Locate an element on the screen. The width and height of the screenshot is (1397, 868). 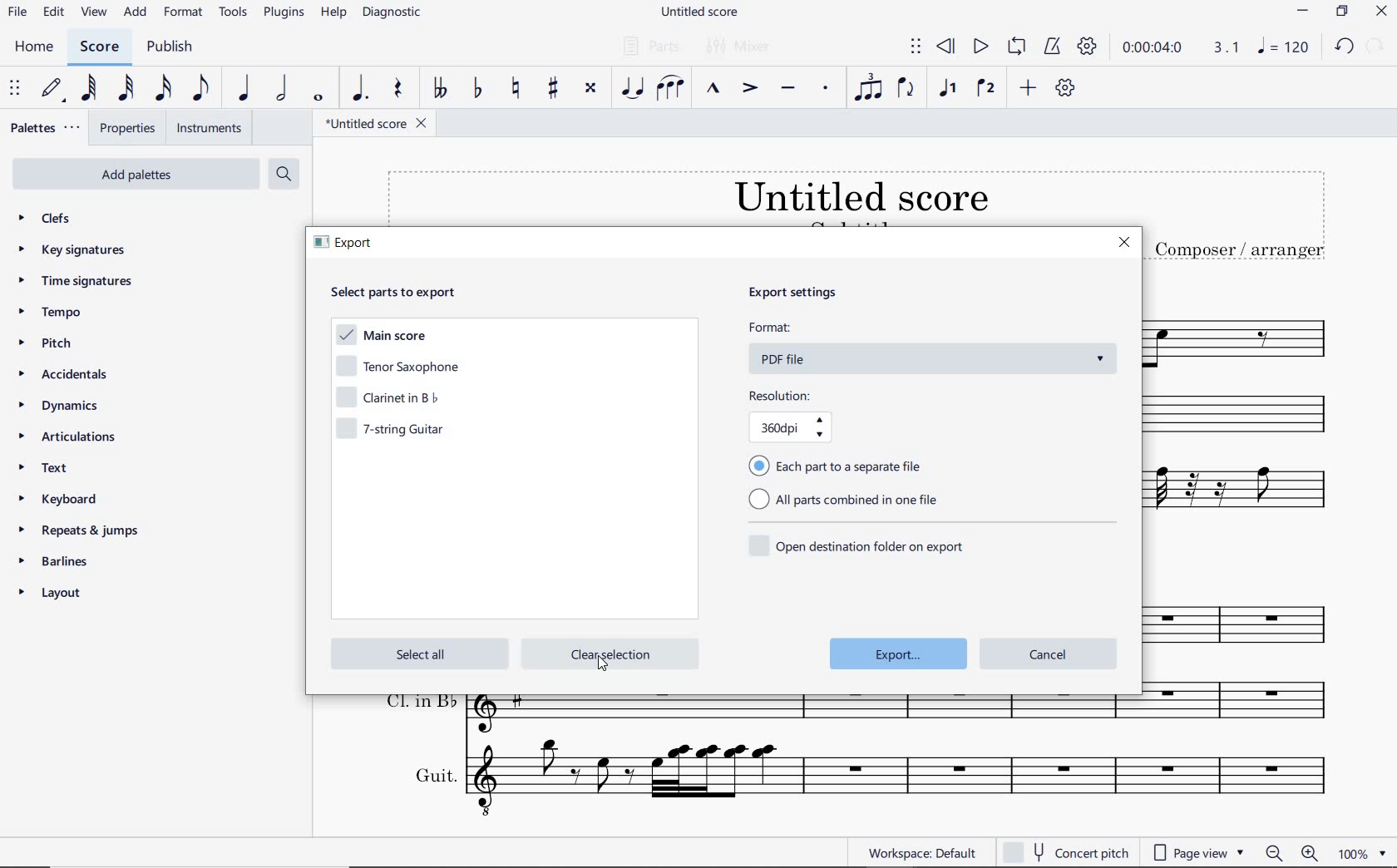
WORKSPACE: DEFAULT is located at coordinates (903, 852).